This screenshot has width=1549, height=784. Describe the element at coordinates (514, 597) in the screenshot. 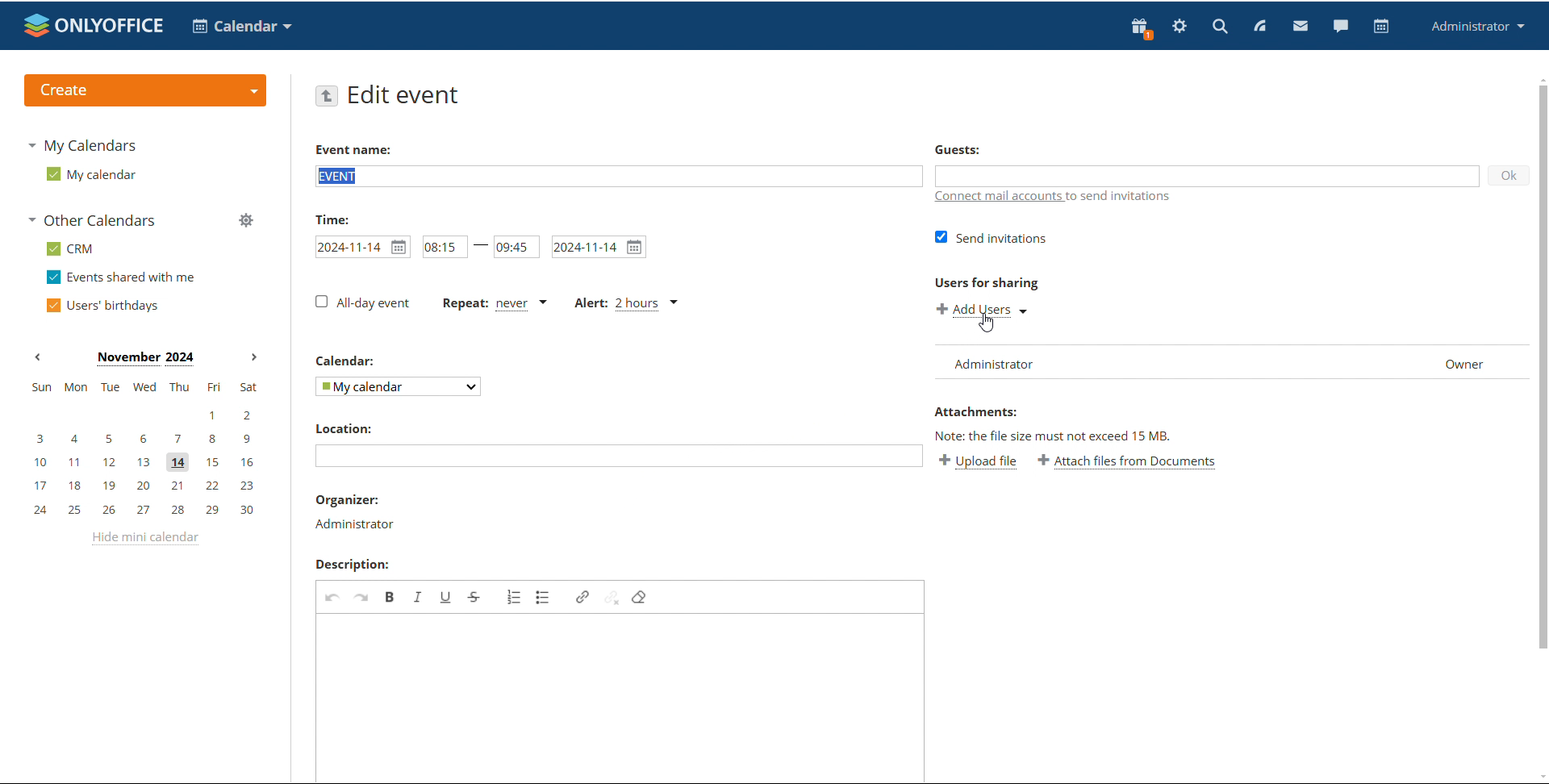

I see `inset/remove numbered list` at that location.